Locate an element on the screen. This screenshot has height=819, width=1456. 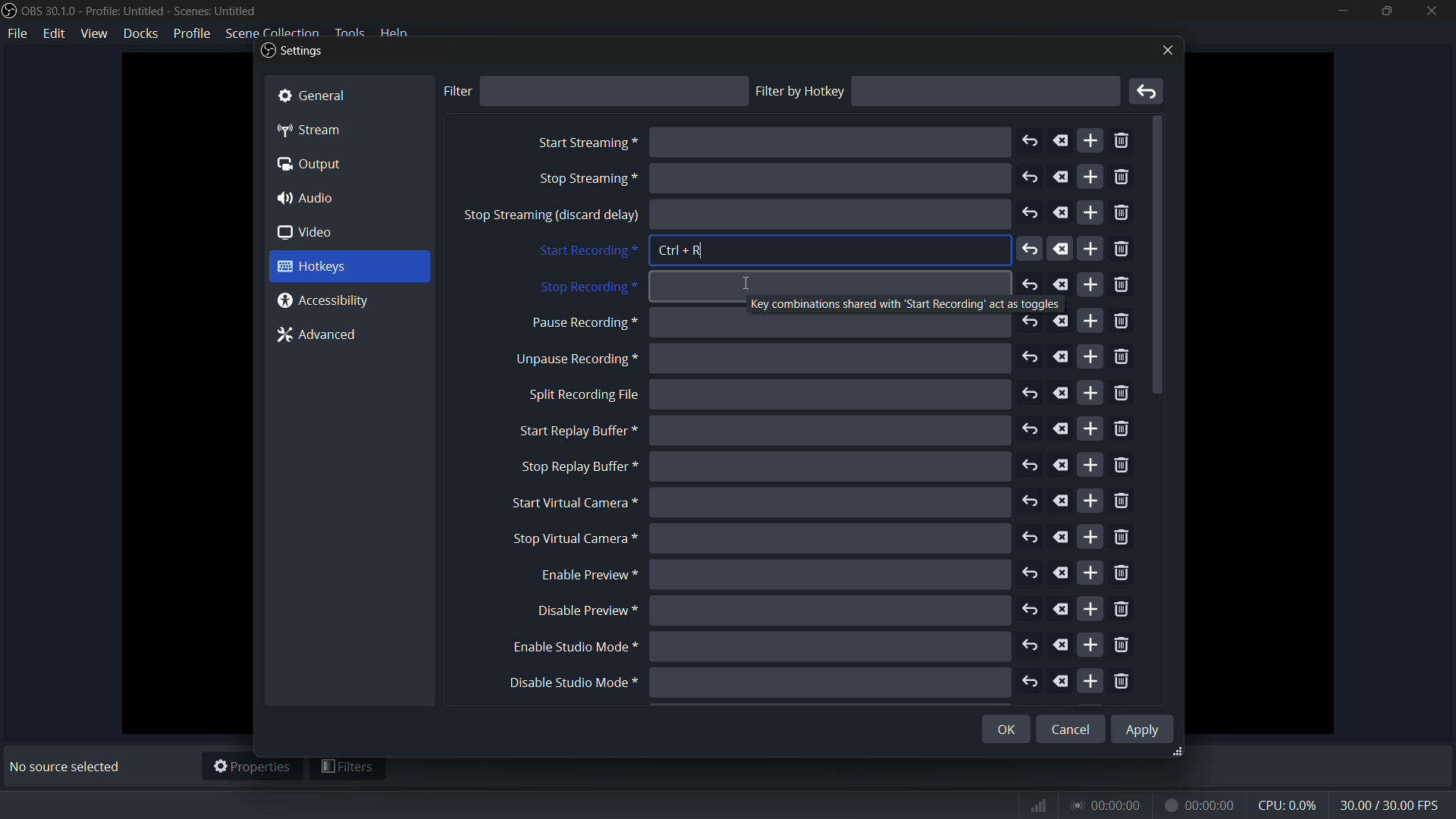
remove is located at coordinates (1123, 538).